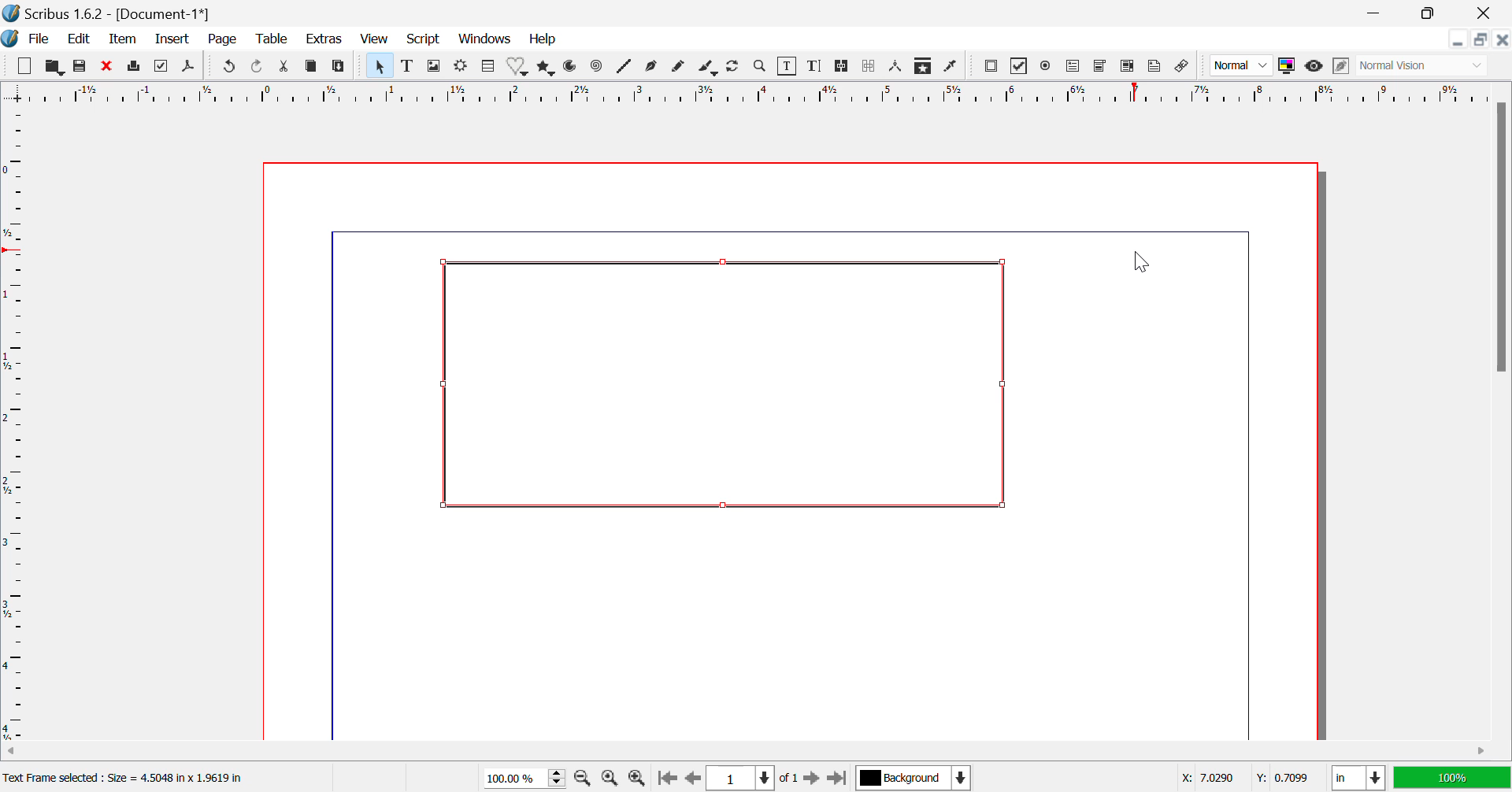  I want to click on Open, so click(54, 66).